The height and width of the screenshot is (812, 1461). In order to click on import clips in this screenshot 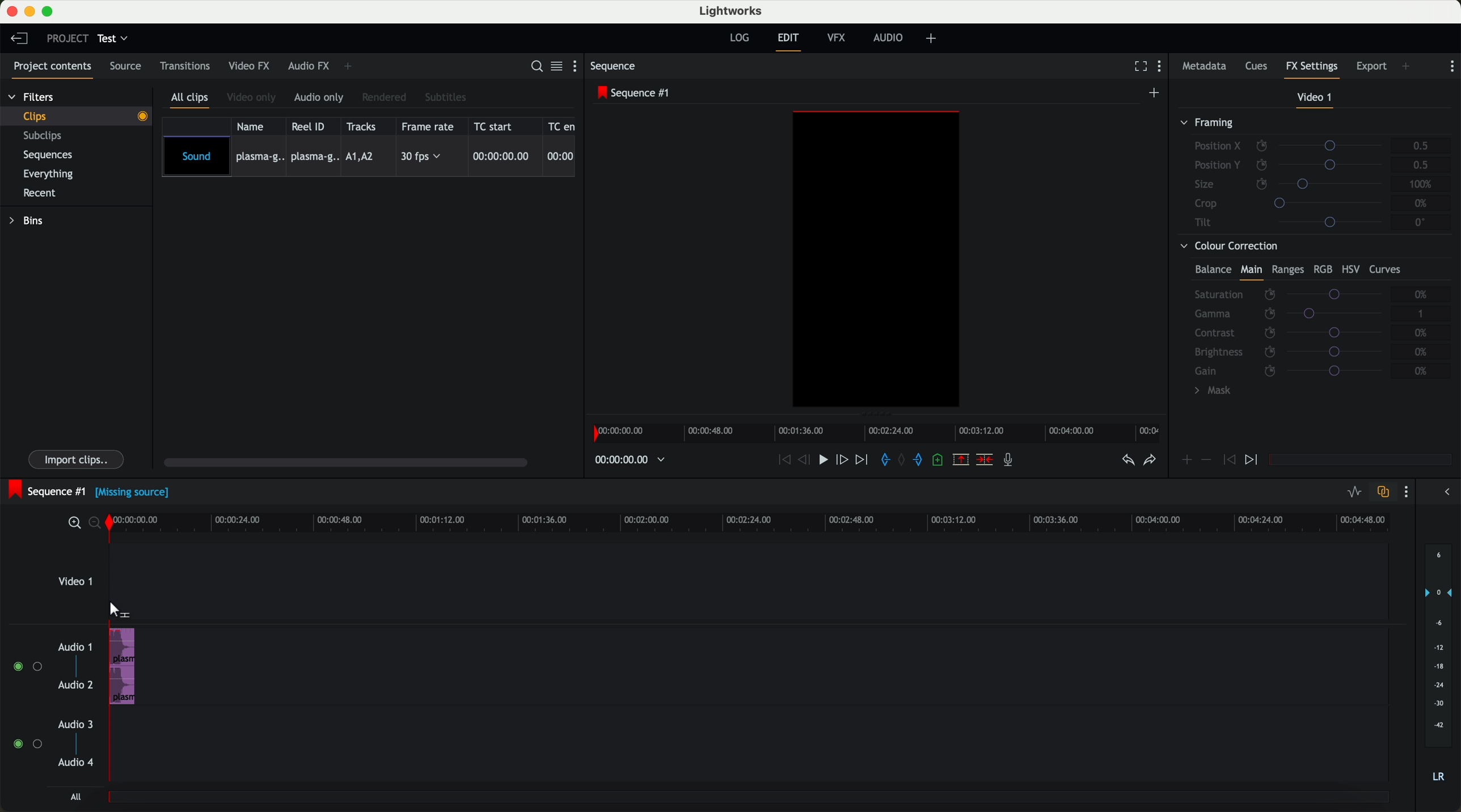, I will do `click(78, 458)`.